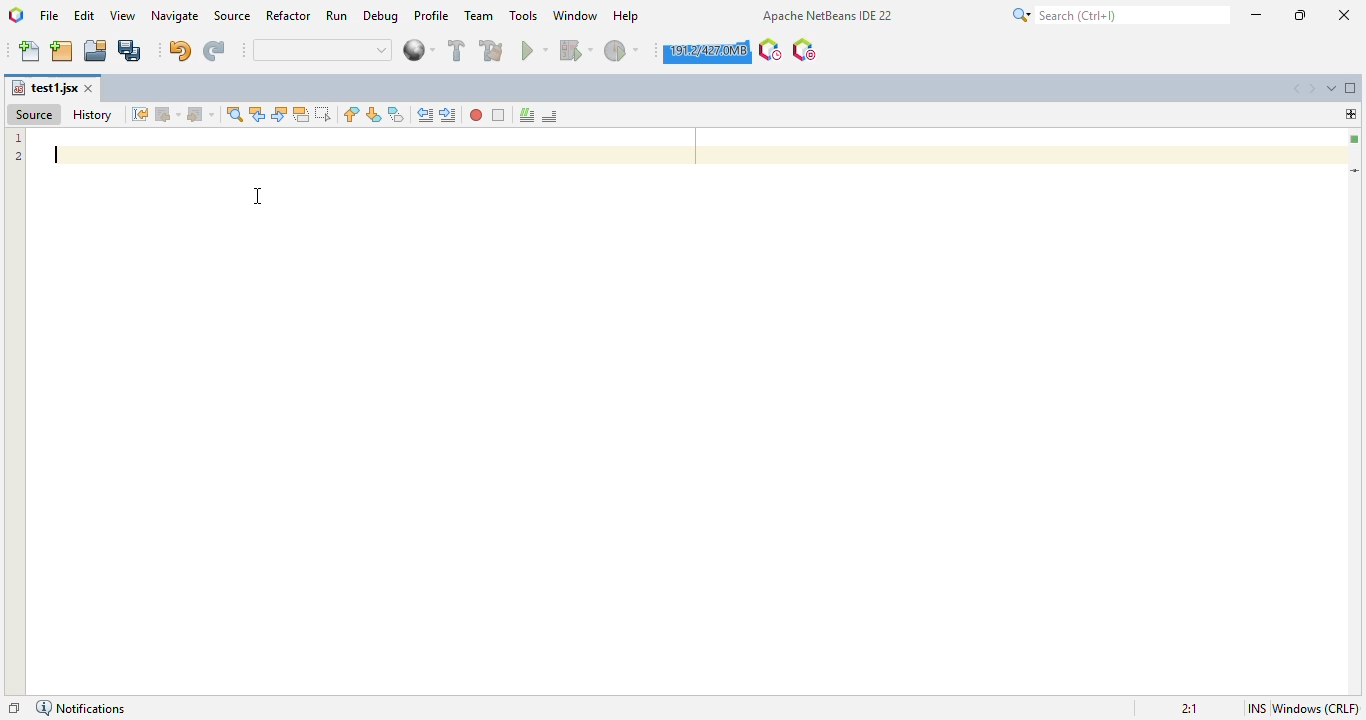 Image resolution: width=1366 pixels, height=720 pixels. Describe the element at coordinates (549, 116) in the screenshot. I see `uncomment` at that location.